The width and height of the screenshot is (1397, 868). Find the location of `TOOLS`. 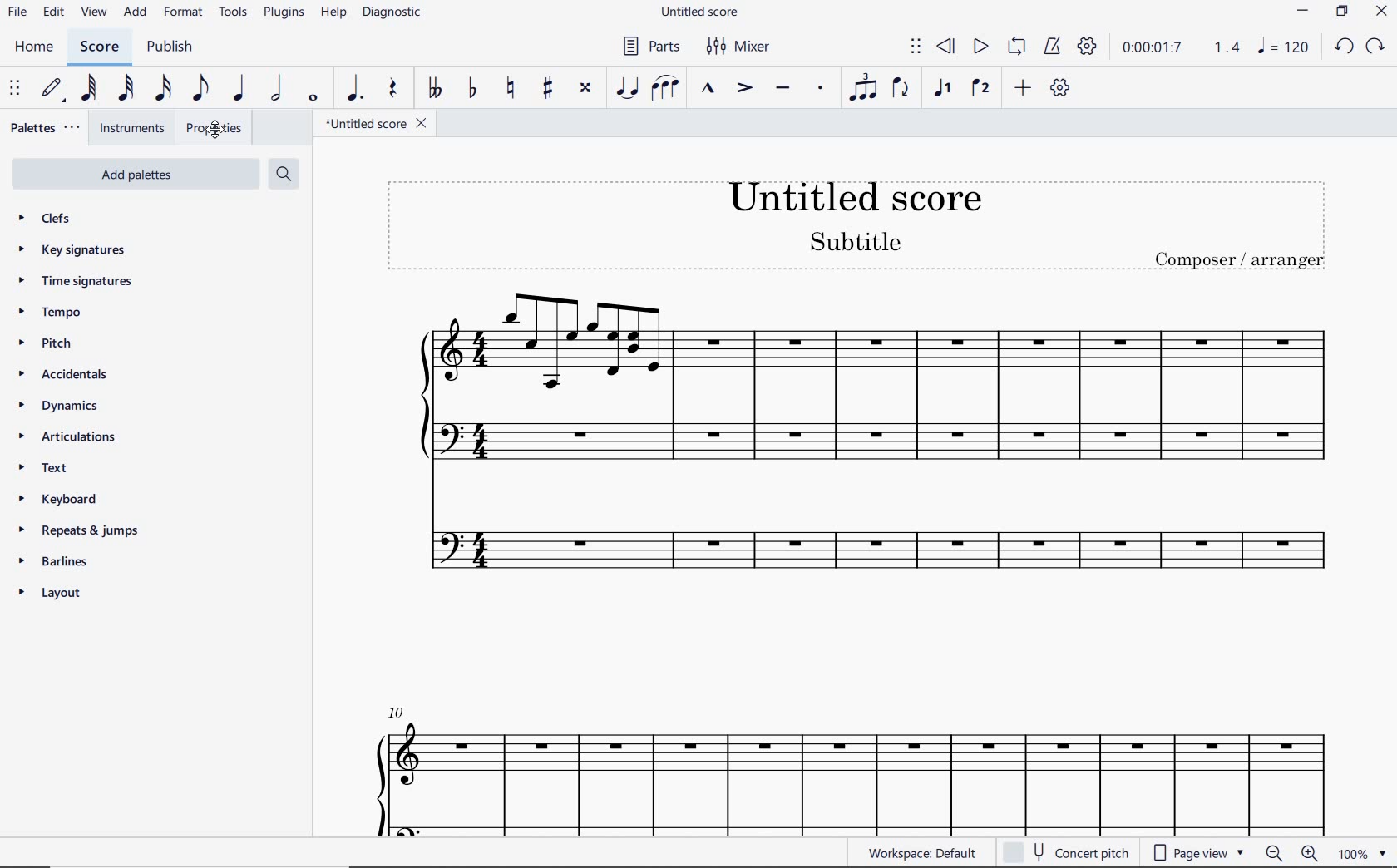

TOOLS is located at coordinates (234, 12).